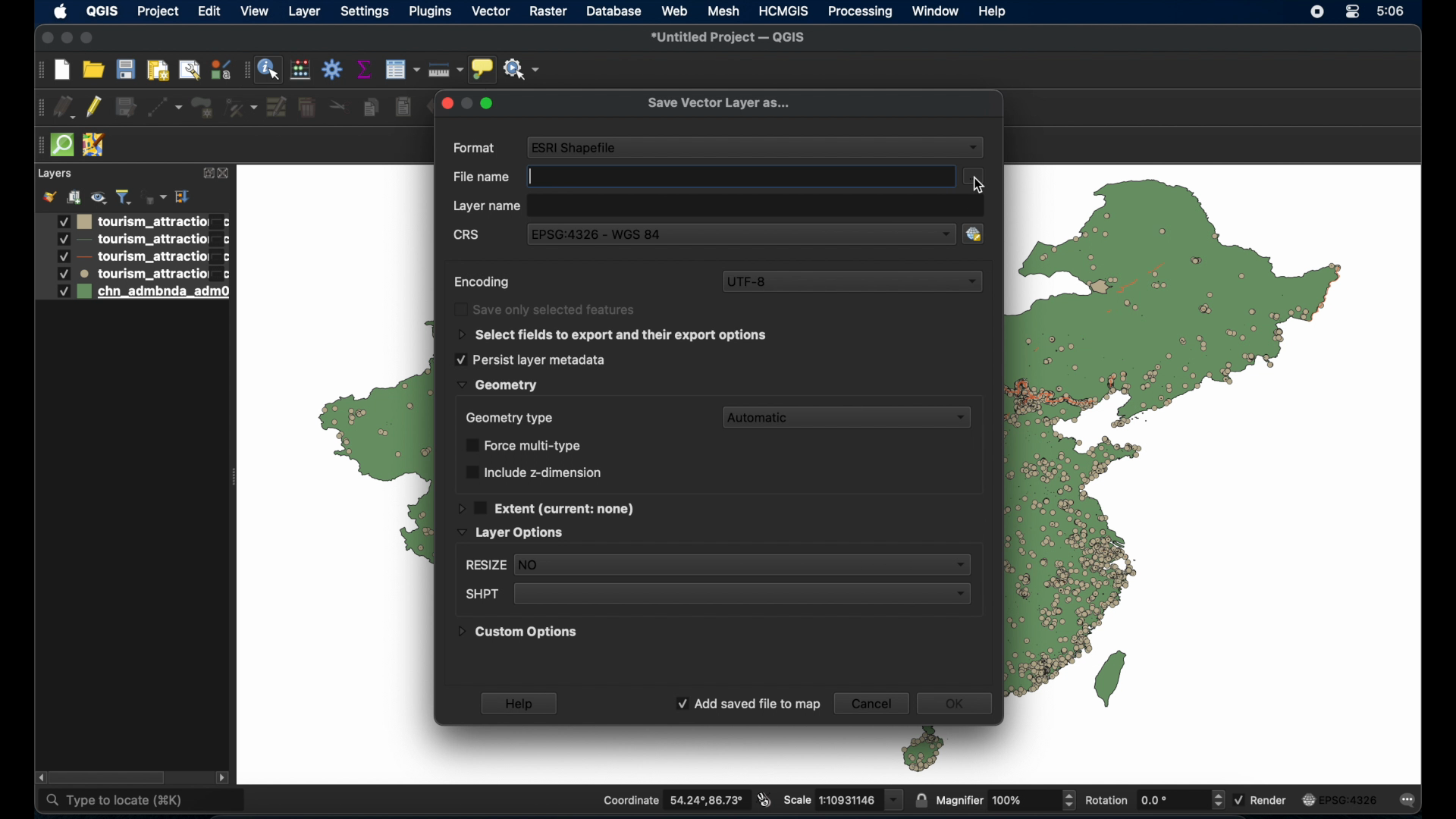 The width and height of the screenshot is (1456, 819). What do you see at coordinates (209, 13) in the screenshot?
I see `edit` at bounding box center [209, 13].